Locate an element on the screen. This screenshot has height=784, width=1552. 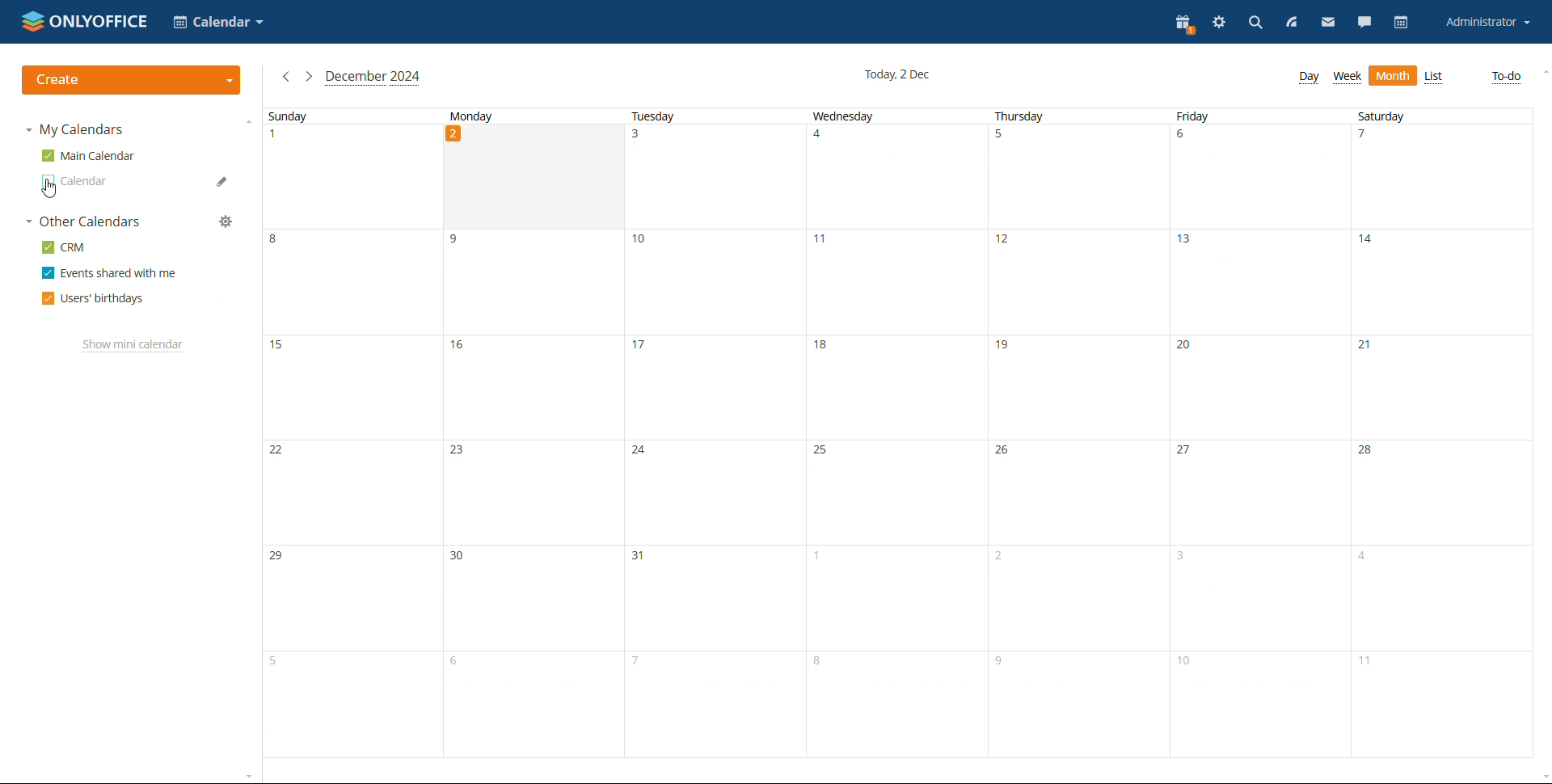
other calendar is located at coordinates (85, 181).